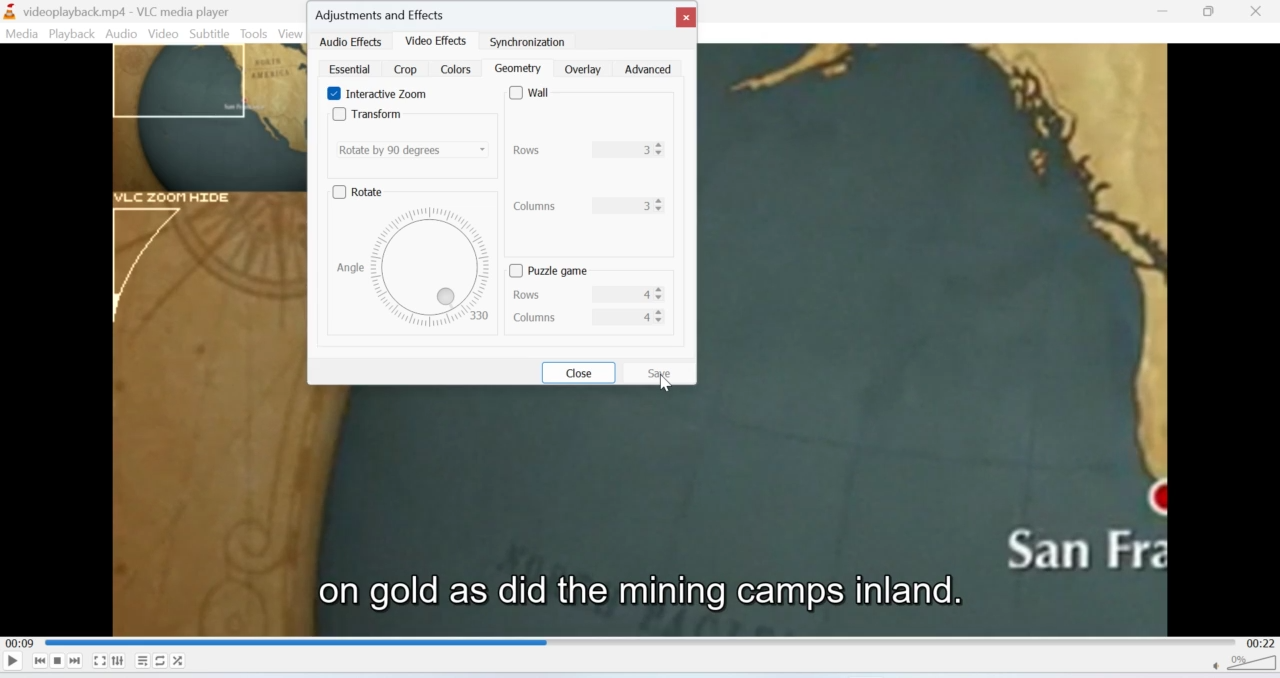  I want to click on rows     4, so click(585, 294).